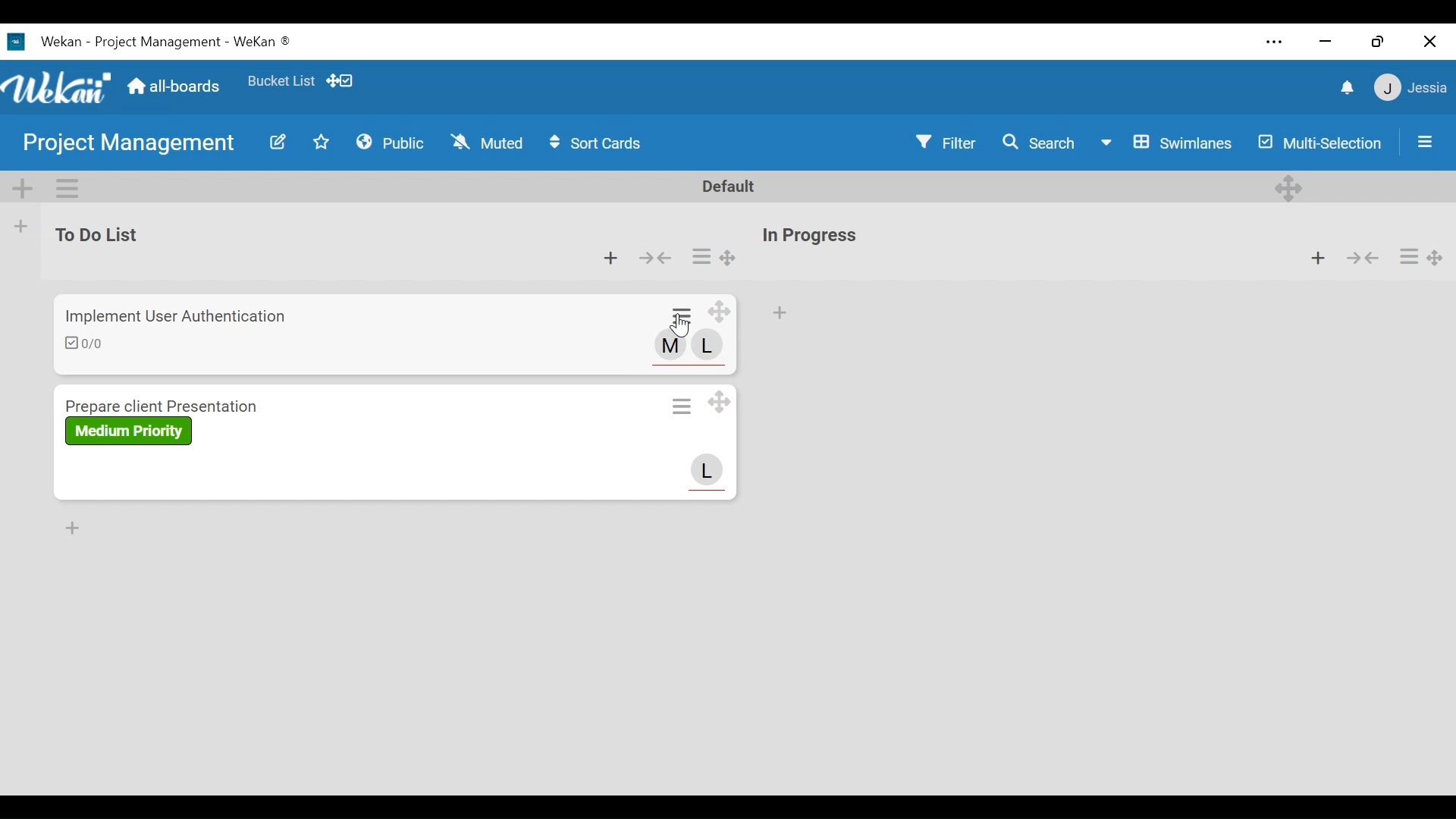 This screenshot has height=819, width=1456. What do you see at coordinates (1291, 187) in the screenshot?
I see `Desktop drag handles` at bounding box center [1291, 187].